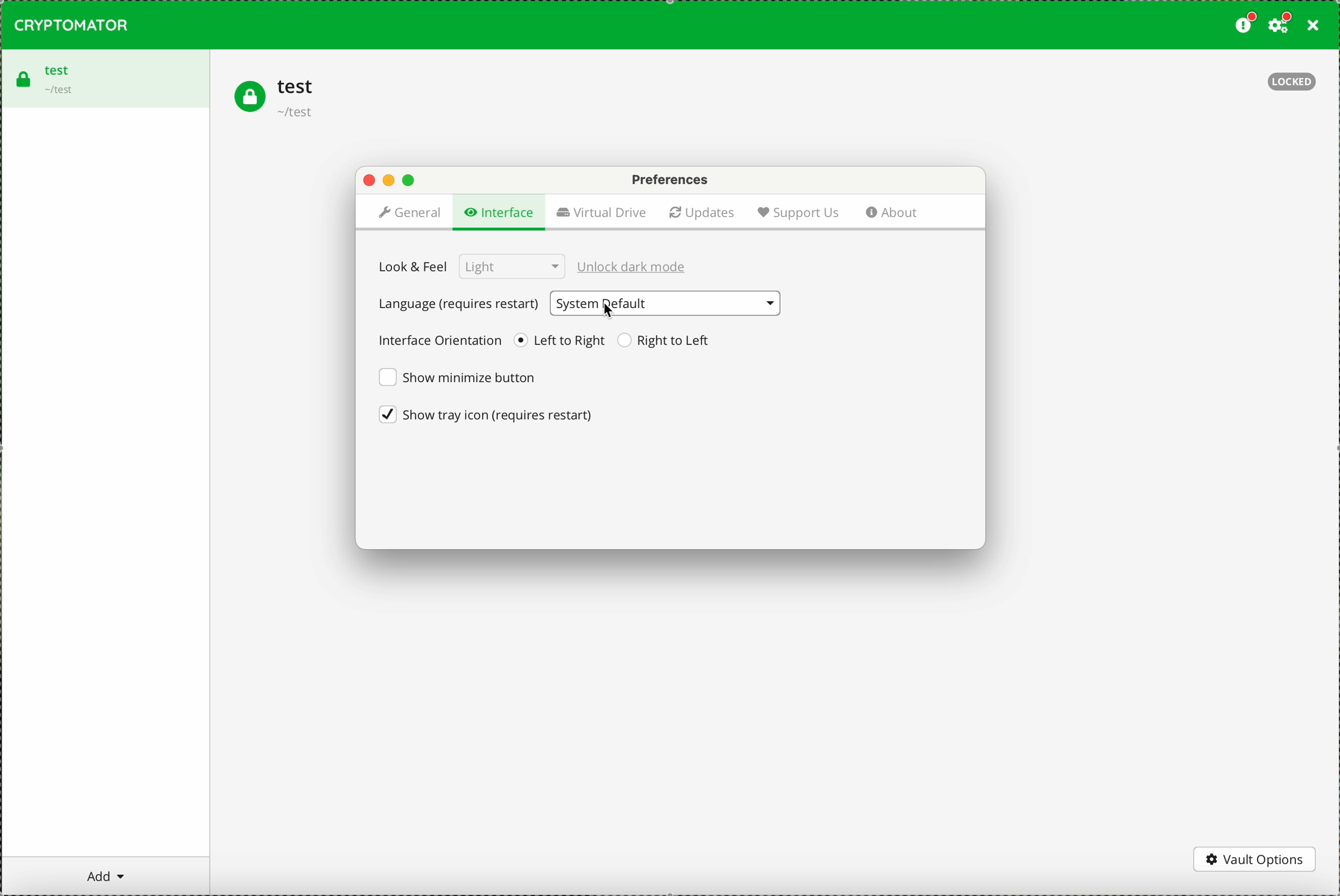 This screenshot has width=1340, height=896. What do you see at coordinates (105, 878) in the screenshot?
I see `add` at bounding box center [105, 878].